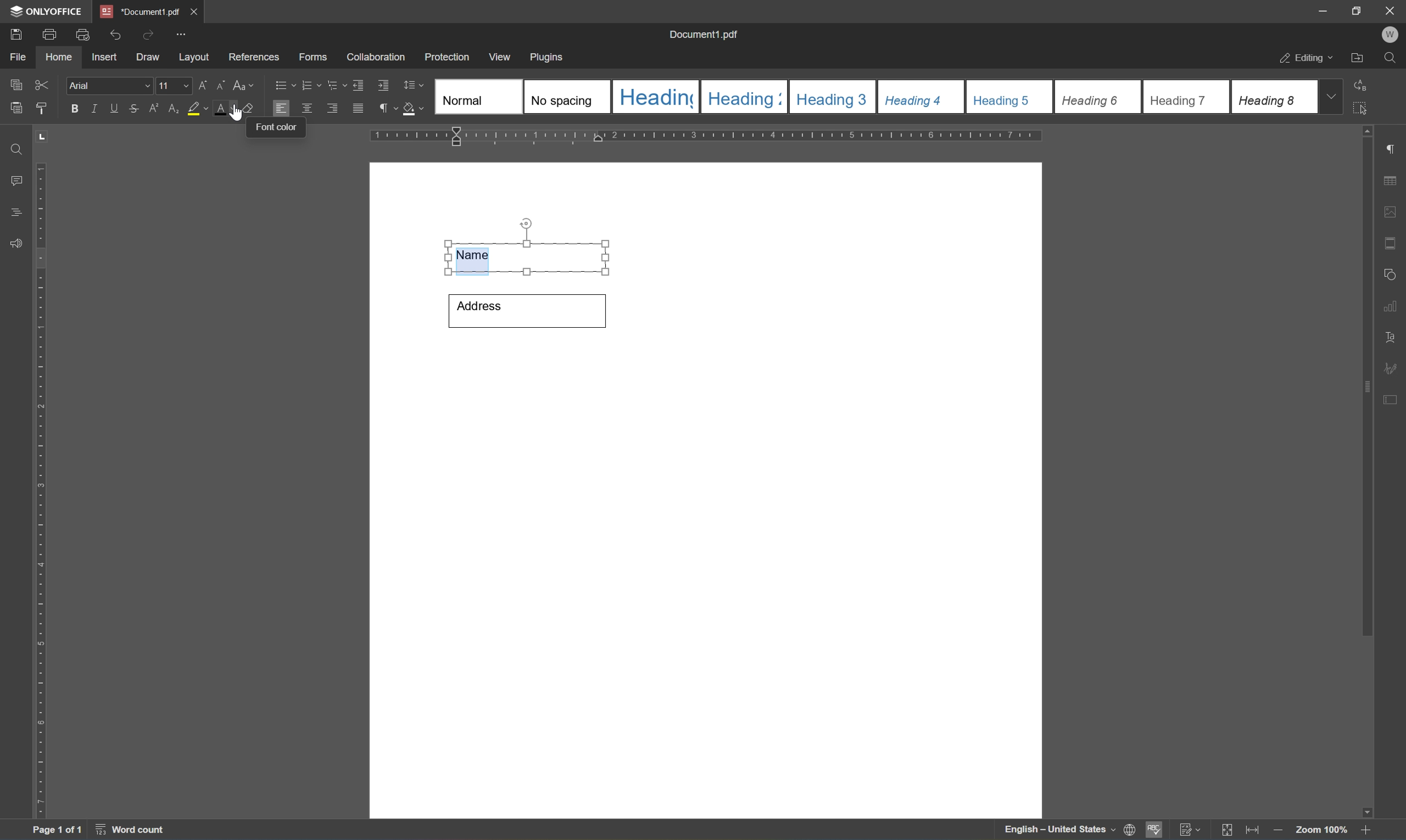 The image size is (1406, 840). Describe the element at coordinates (1391, 11) in the screenshot. I see `close` at that location.